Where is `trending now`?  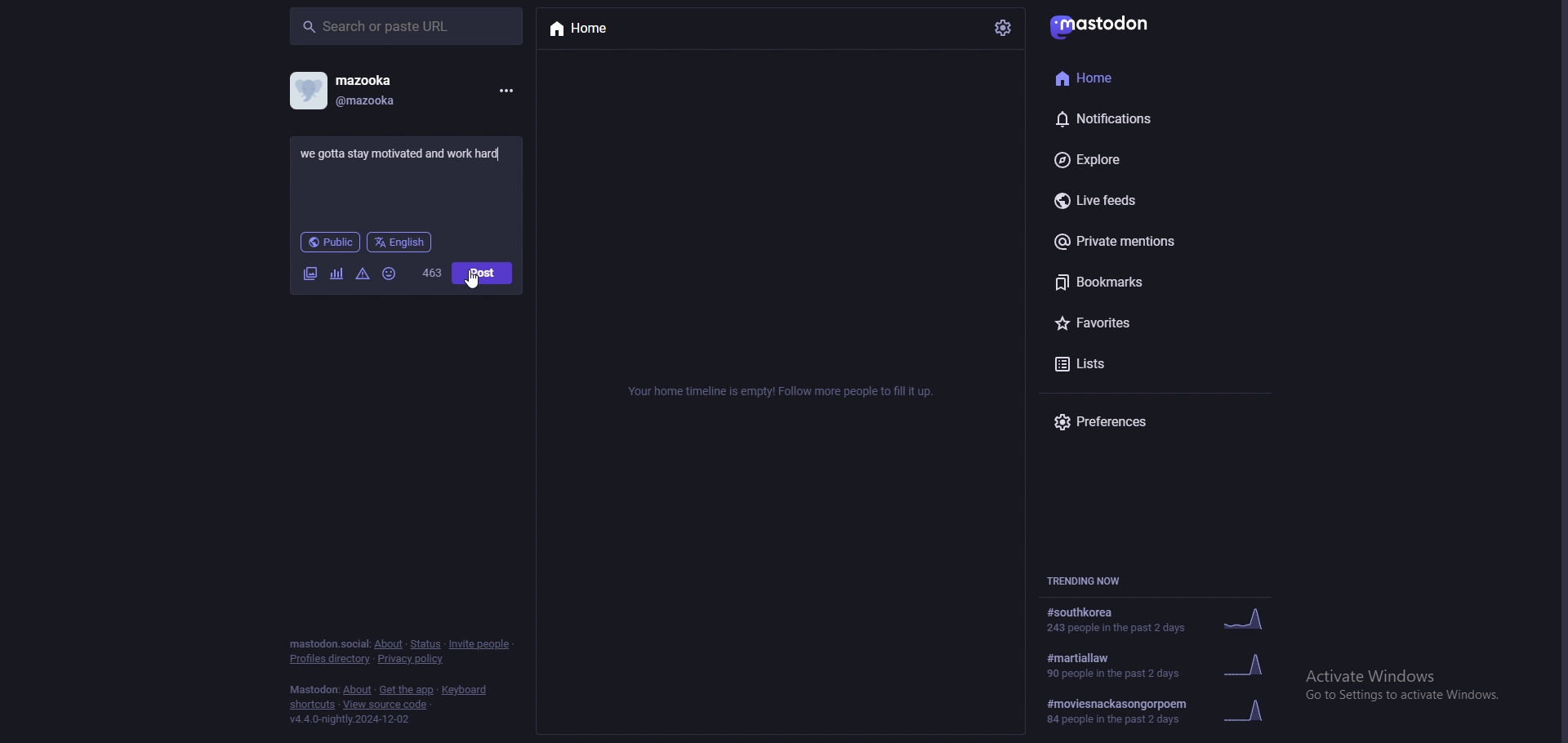 trending now is located at coordinates (1089, 581).